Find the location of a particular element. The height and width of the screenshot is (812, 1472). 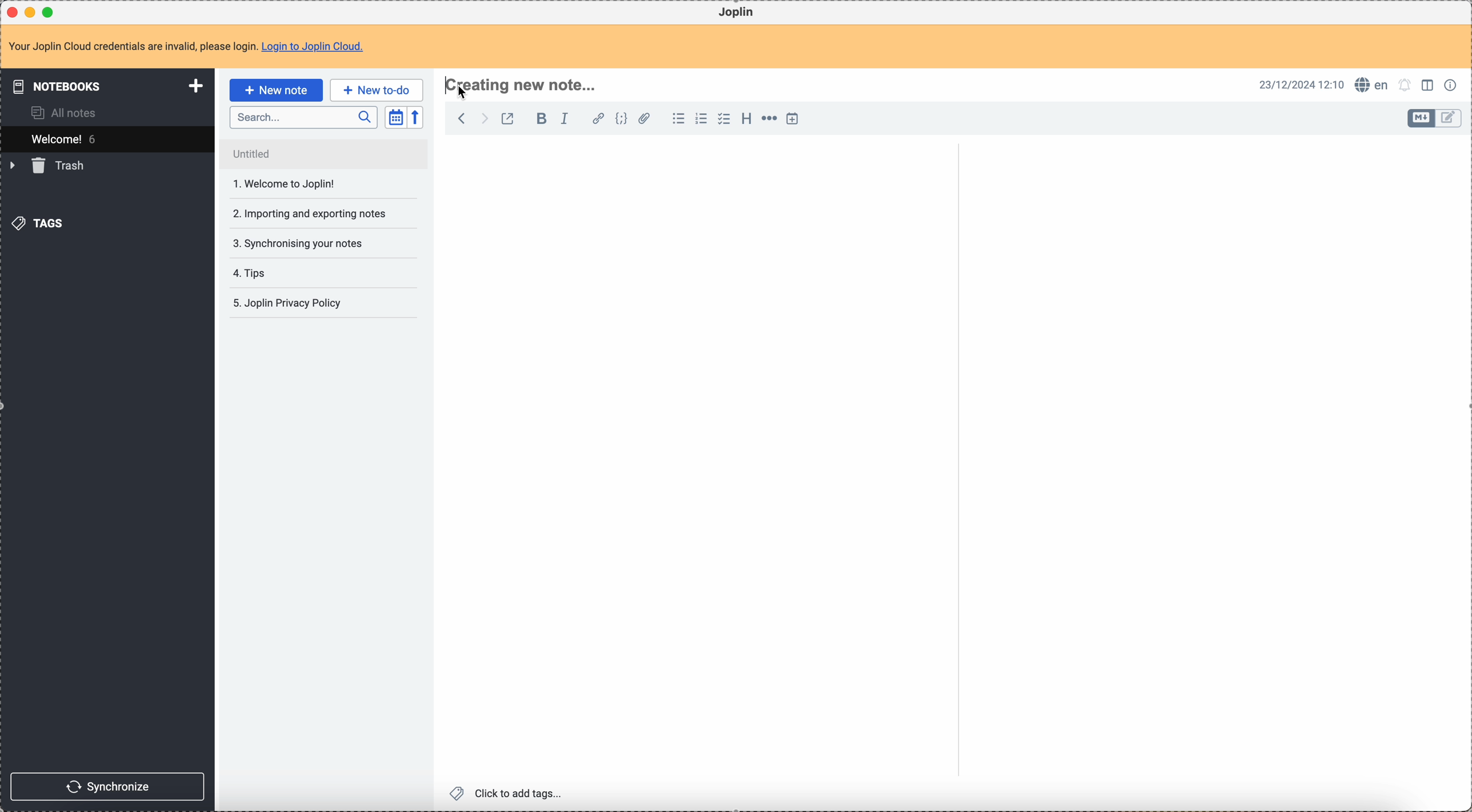

click on new note is located at coordinates (275, 90).